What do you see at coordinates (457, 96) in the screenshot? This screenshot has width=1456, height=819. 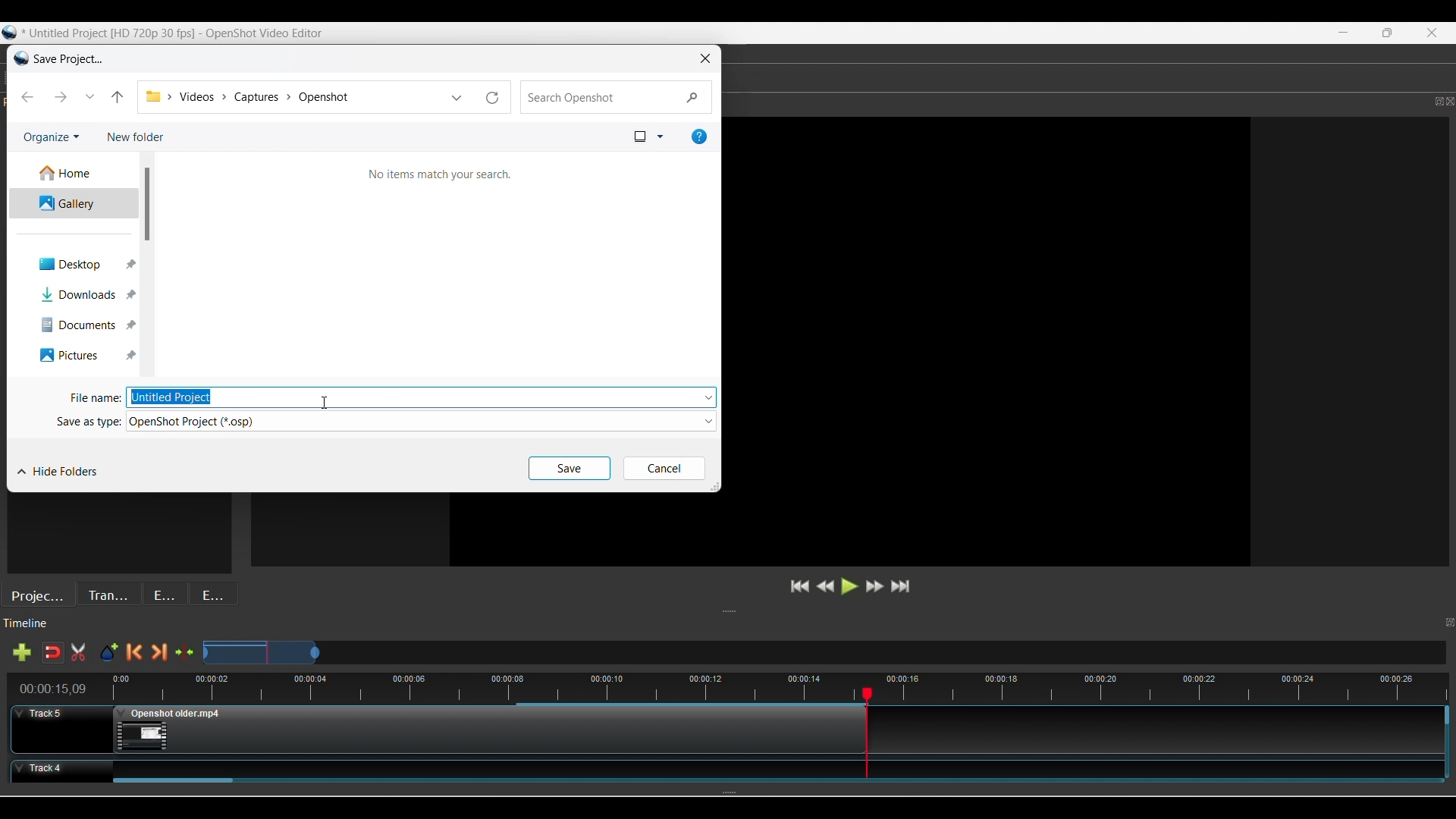 I see `List of previous locations` at bounding box center [457, 96].